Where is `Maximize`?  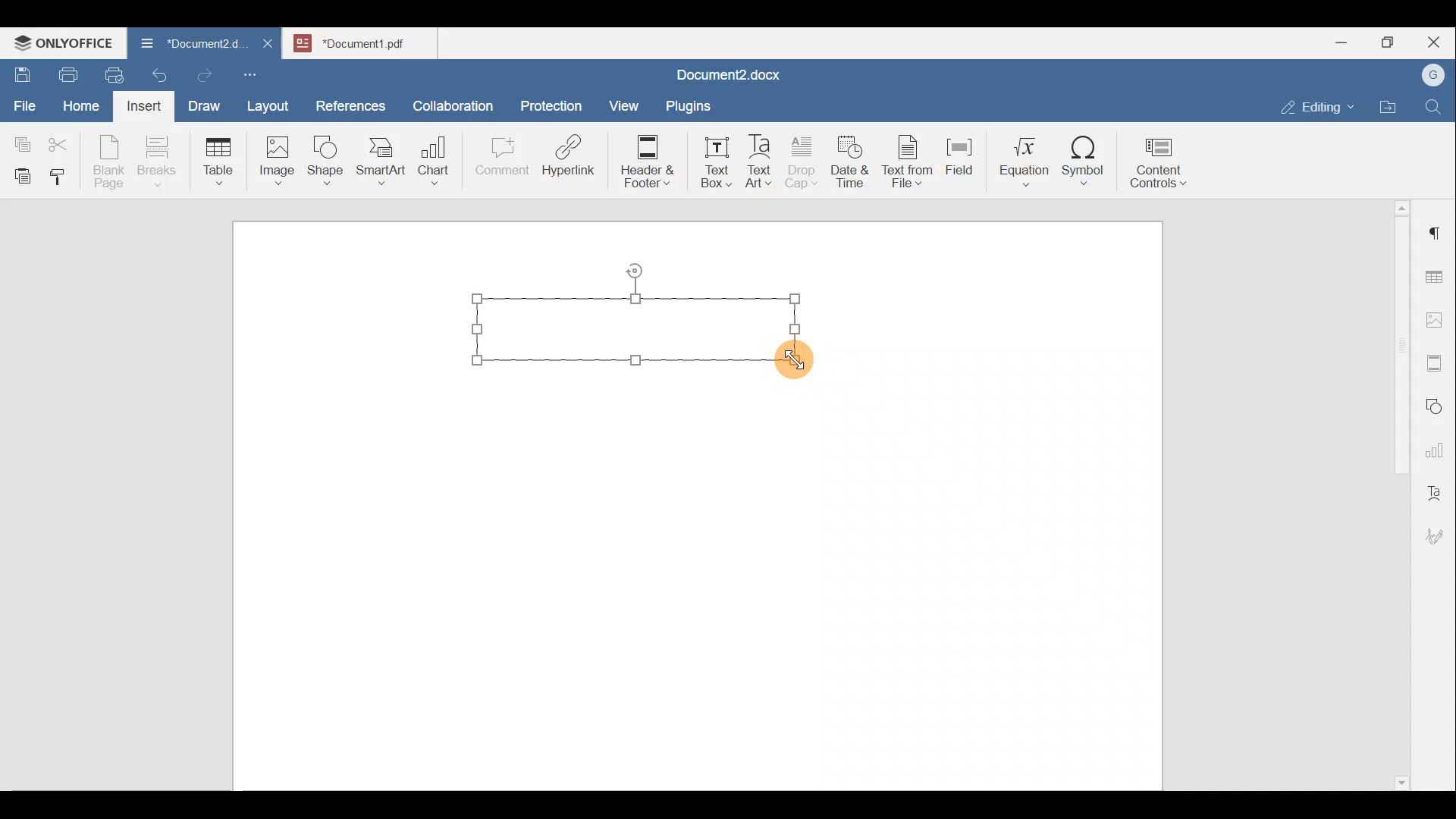 Maximize is located at coordinates (1392, 42).